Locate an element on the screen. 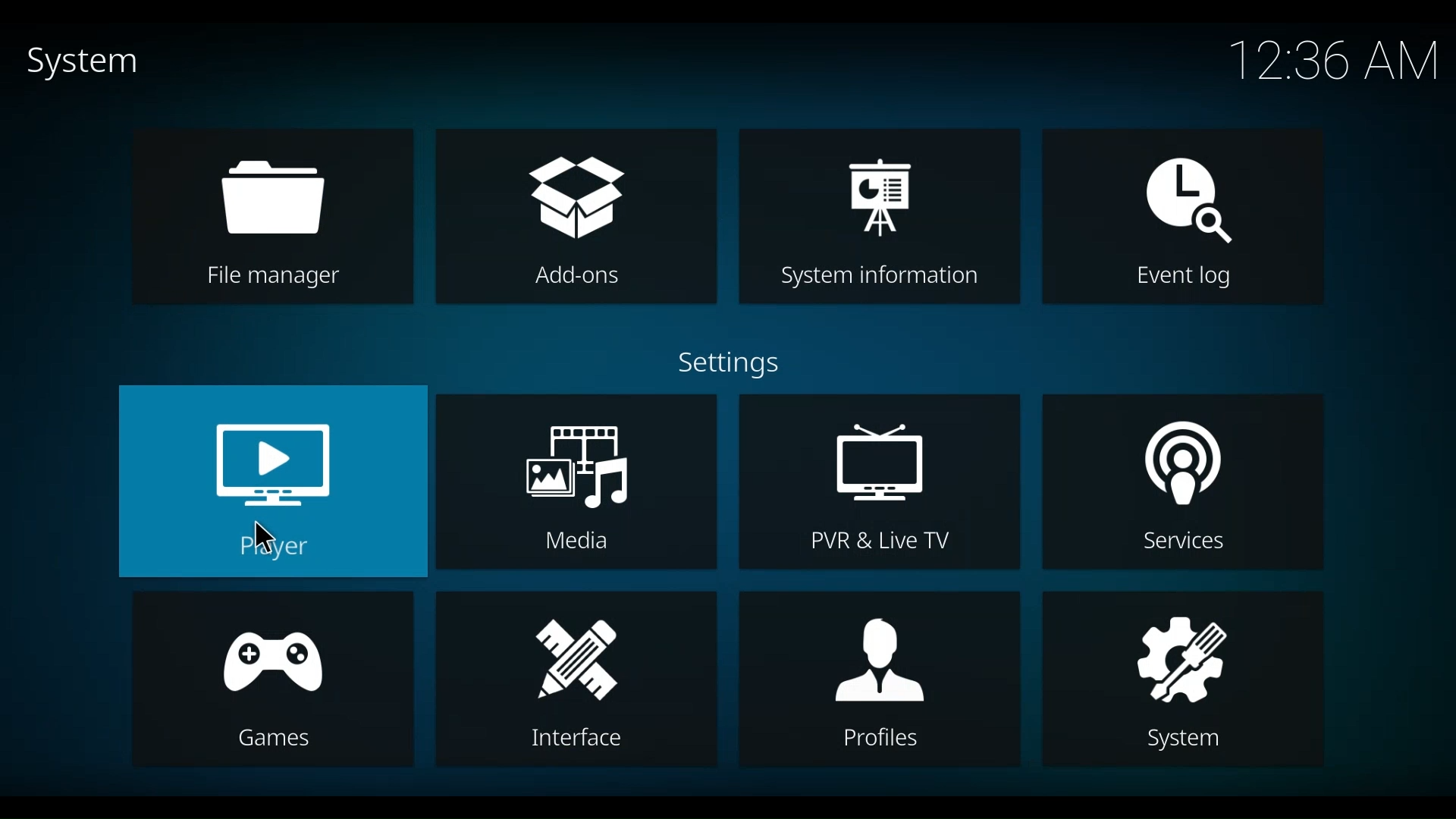 Image resolution: width=1456 pixels, height=819 pixels. System Information is located at coordinates (880, 218).